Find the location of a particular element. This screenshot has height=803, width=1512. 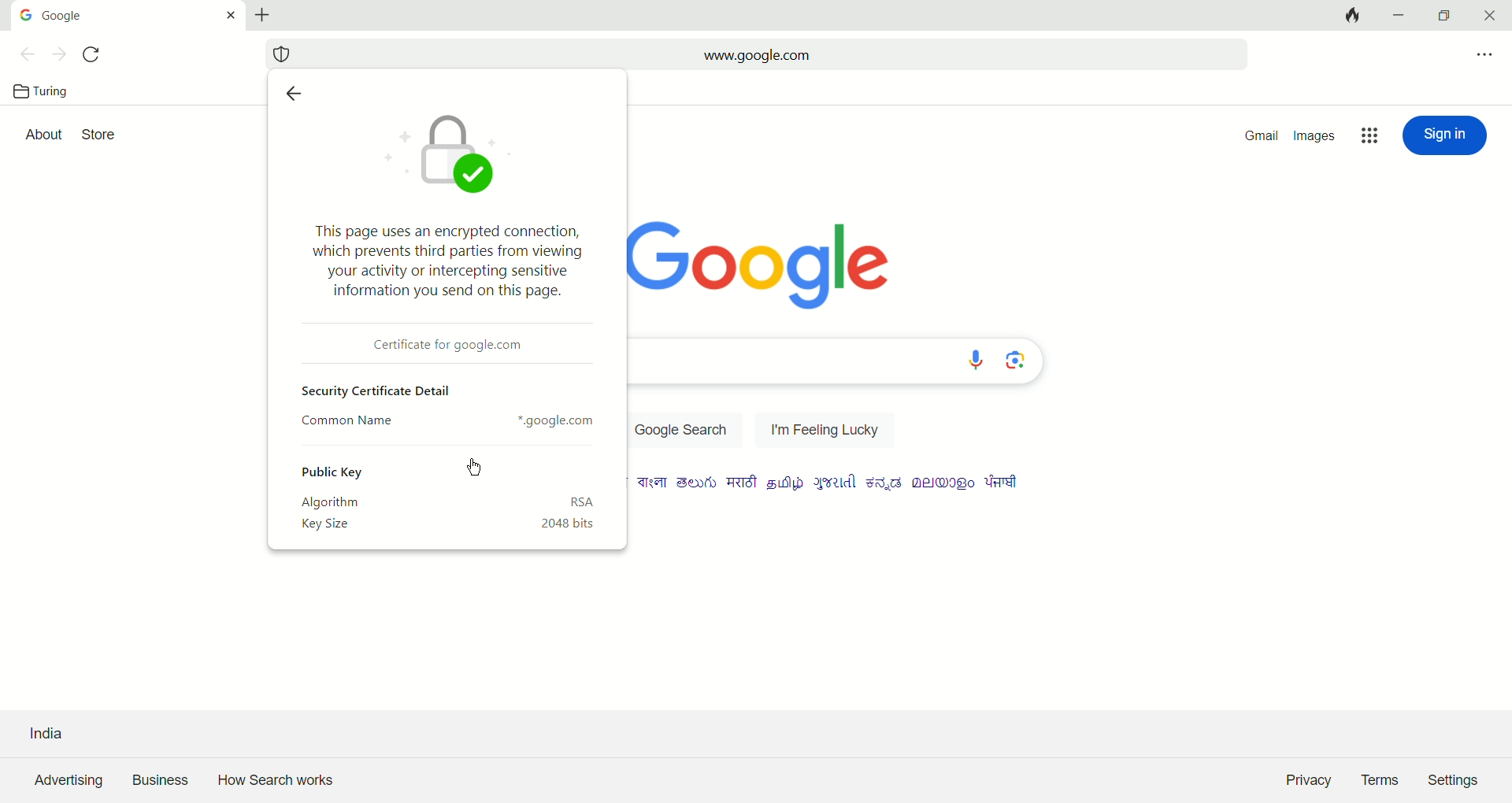

Google icon is located at coordinates (27, 14).